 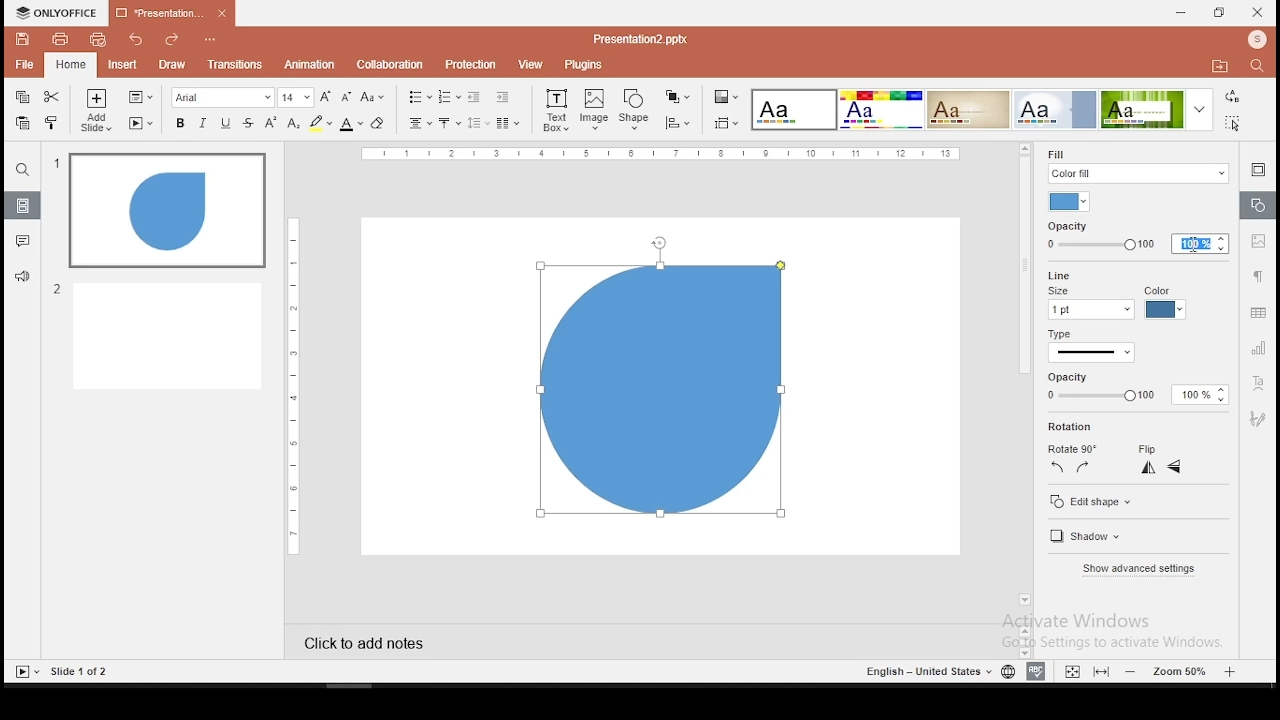 I want to click on open file location, so click(x=1216, y=66).